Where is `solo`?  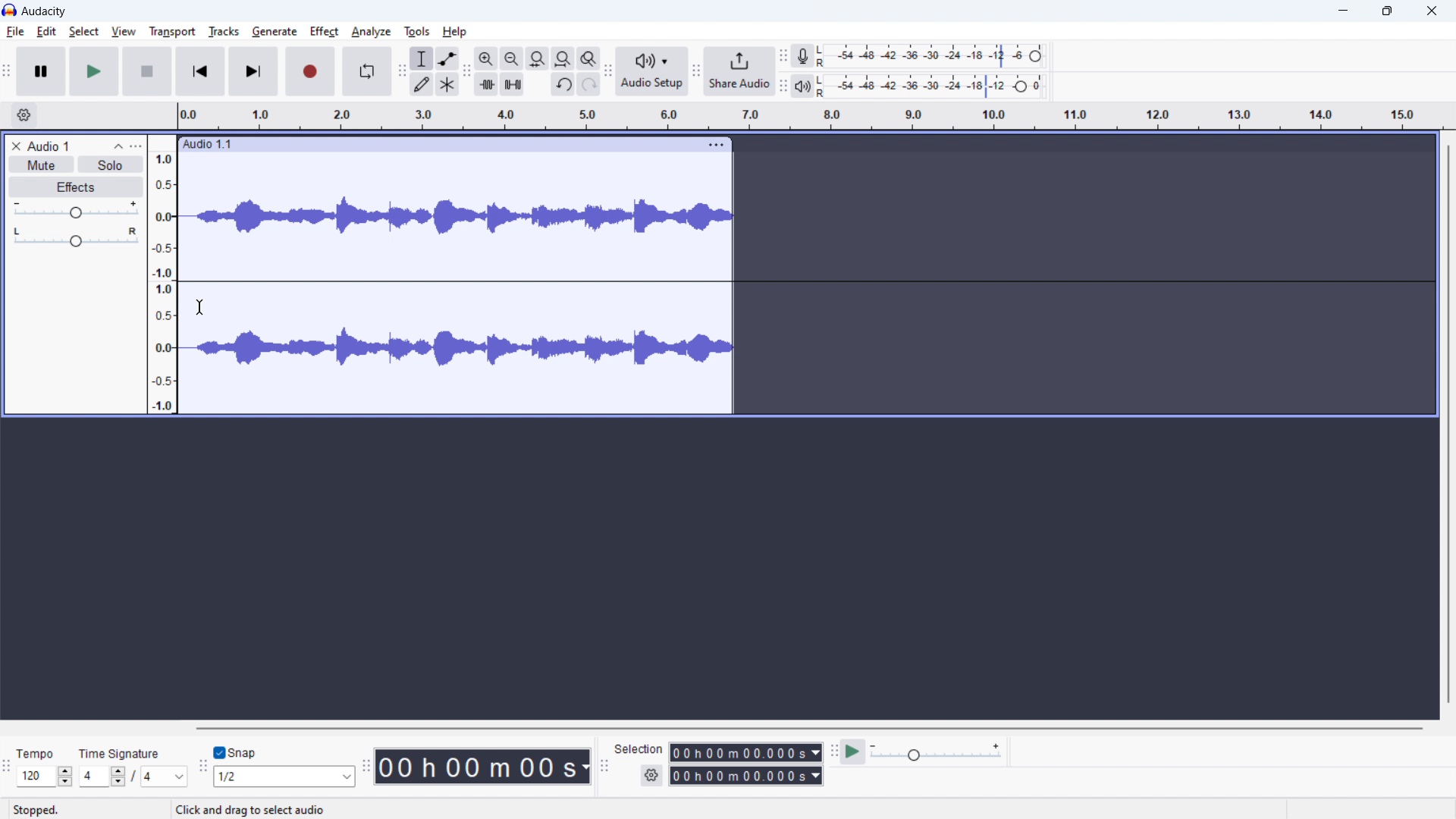
solo is located at coordinates (110, 165).